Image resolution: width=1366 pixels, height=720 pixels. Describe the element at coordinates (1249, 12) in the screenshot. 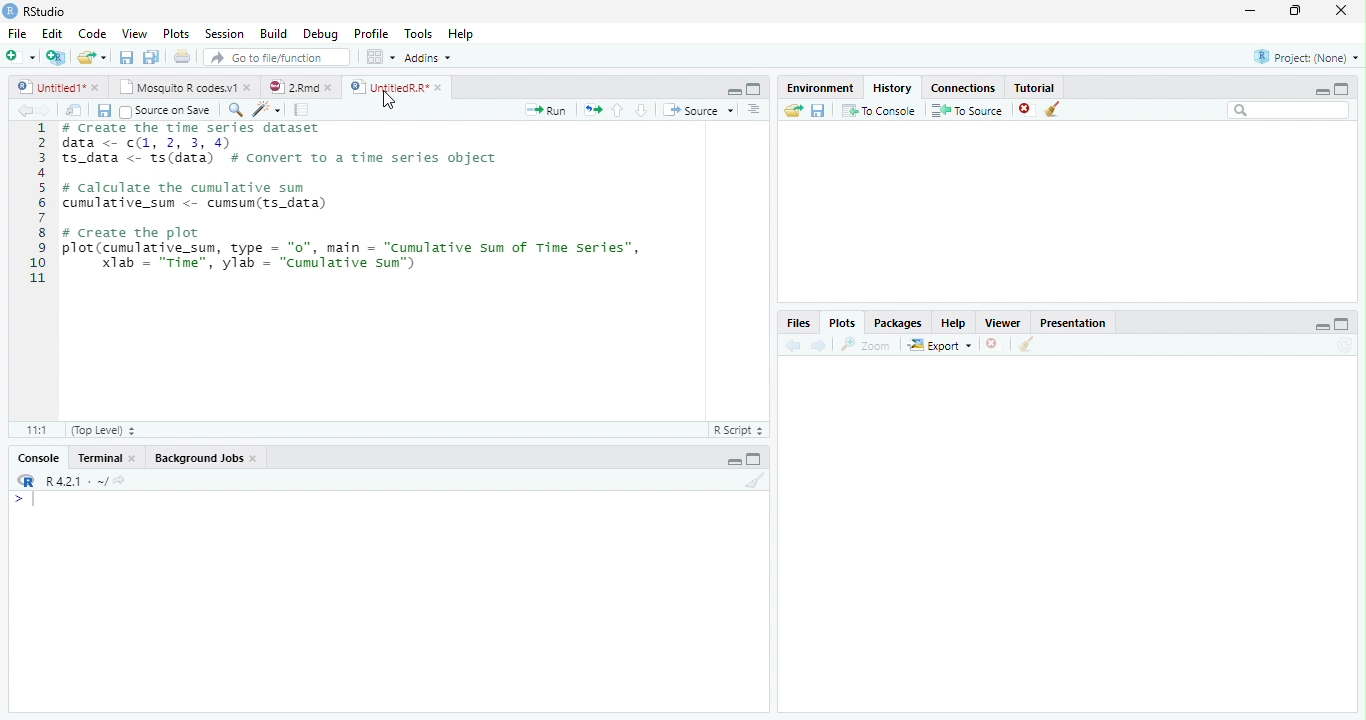

I see `minimize` at that location.